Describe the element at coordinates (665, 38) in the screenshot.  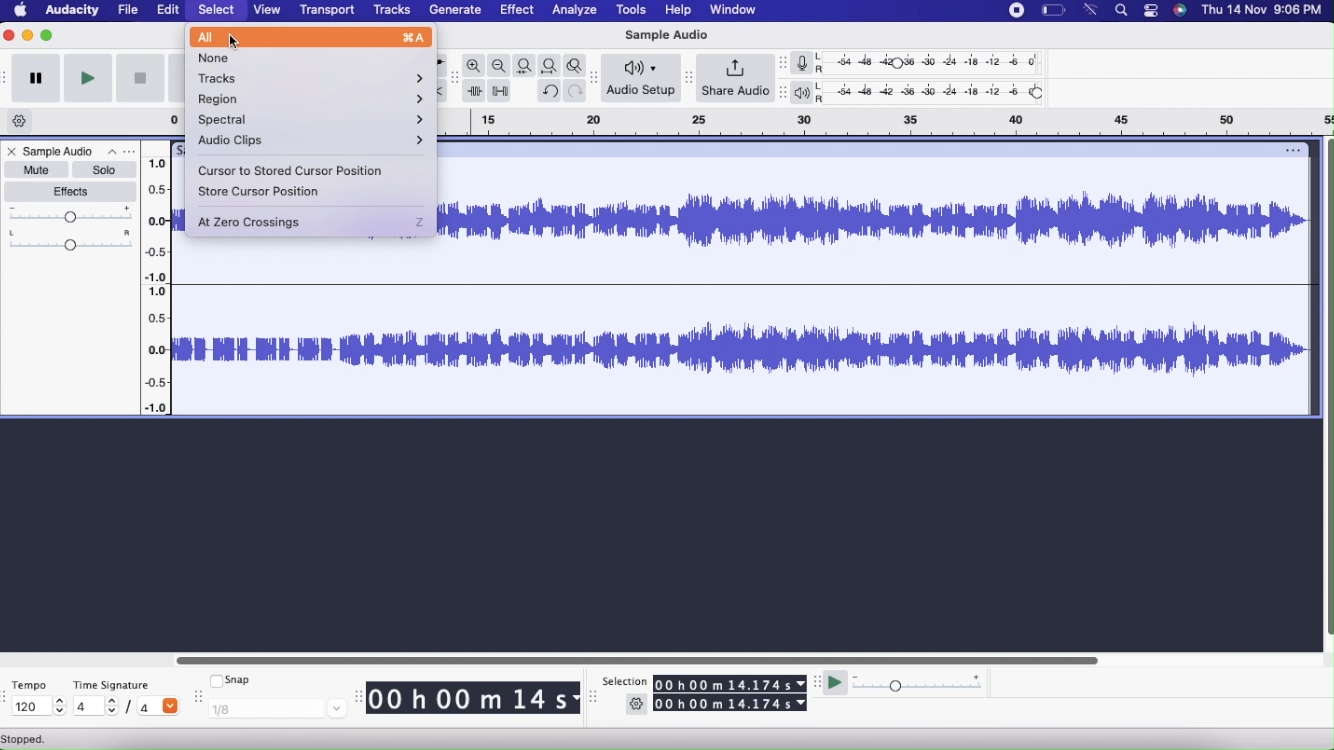
I see `Sample Audio` at that location.